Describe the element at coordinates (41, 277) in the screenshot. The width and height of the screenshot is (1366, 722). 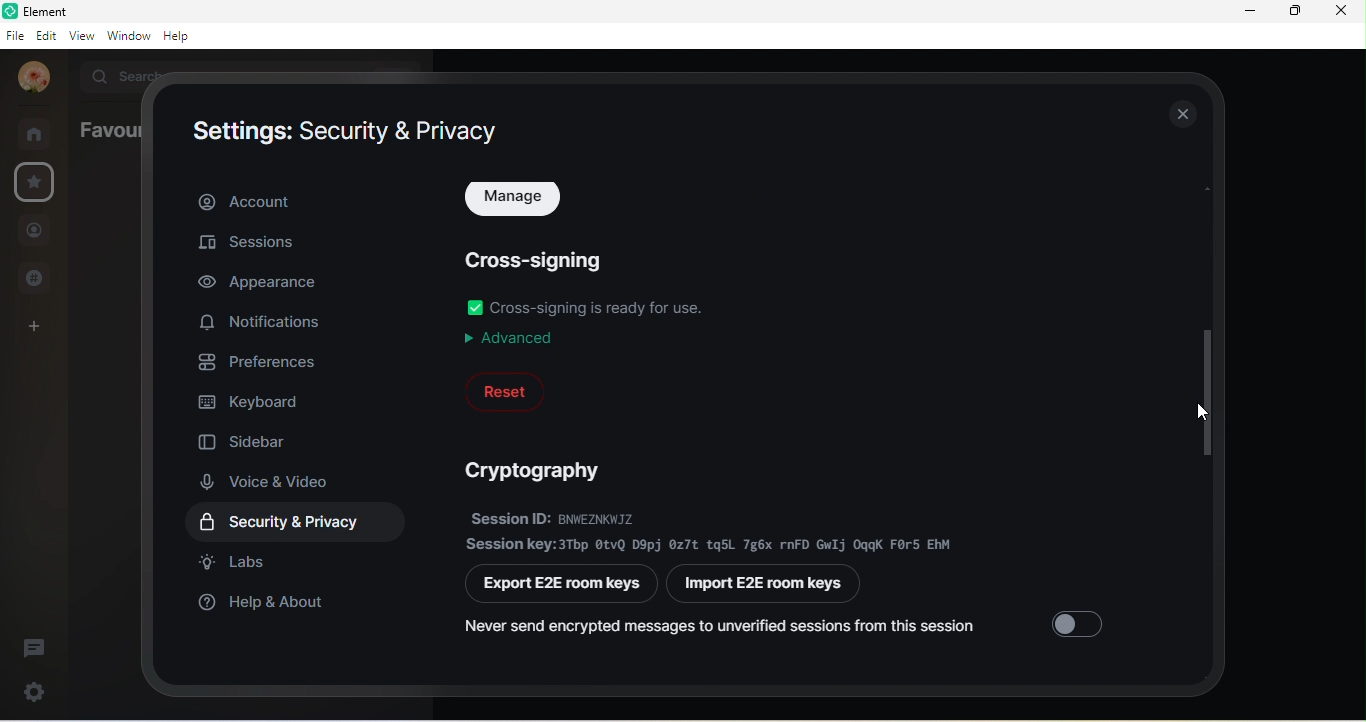
I see `public room` at that location.